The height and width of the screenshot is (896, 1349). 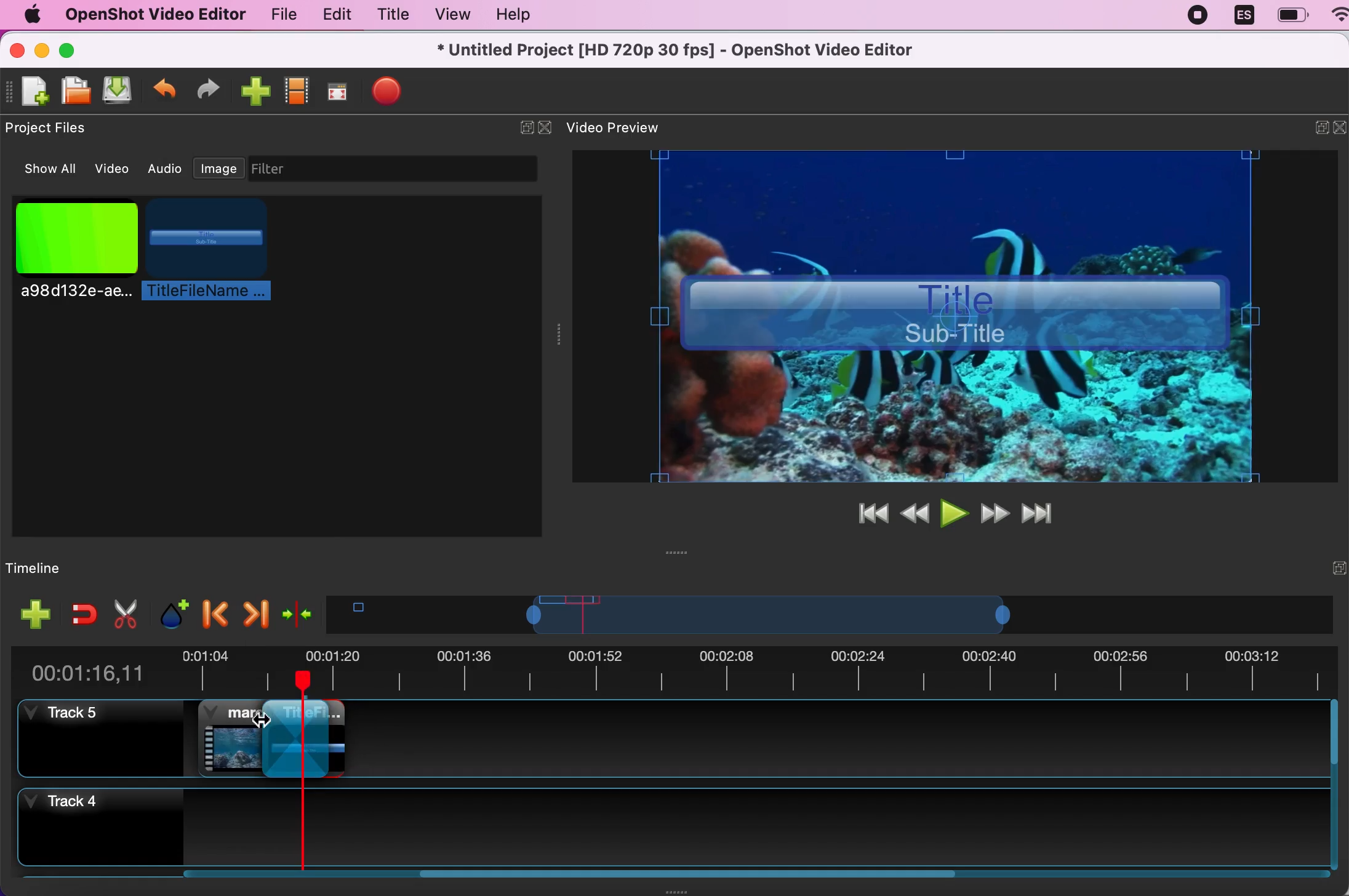 I want to click on time duration, so click(x=676, y=668).